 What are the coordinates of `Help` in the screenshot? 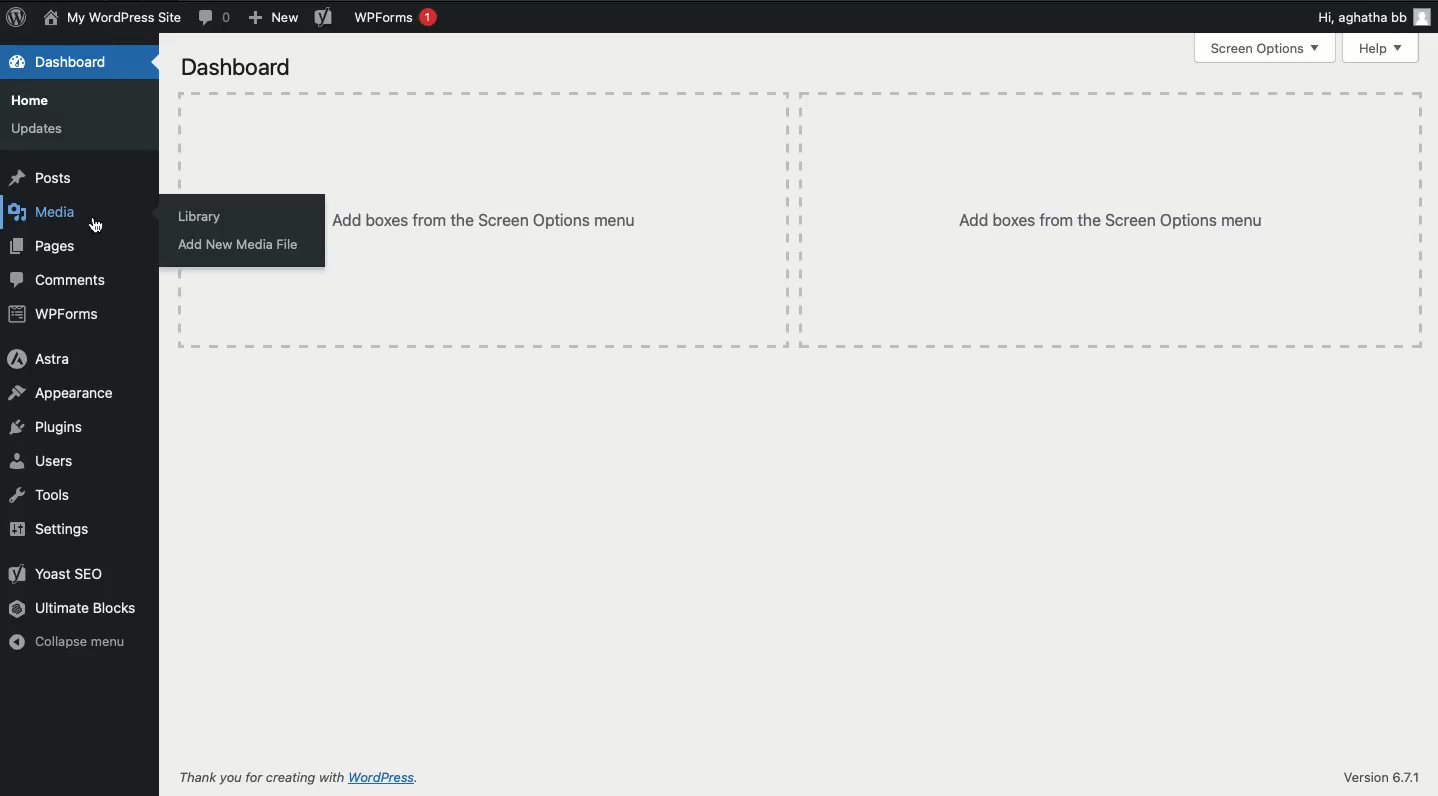 It's located at (1382, 48).